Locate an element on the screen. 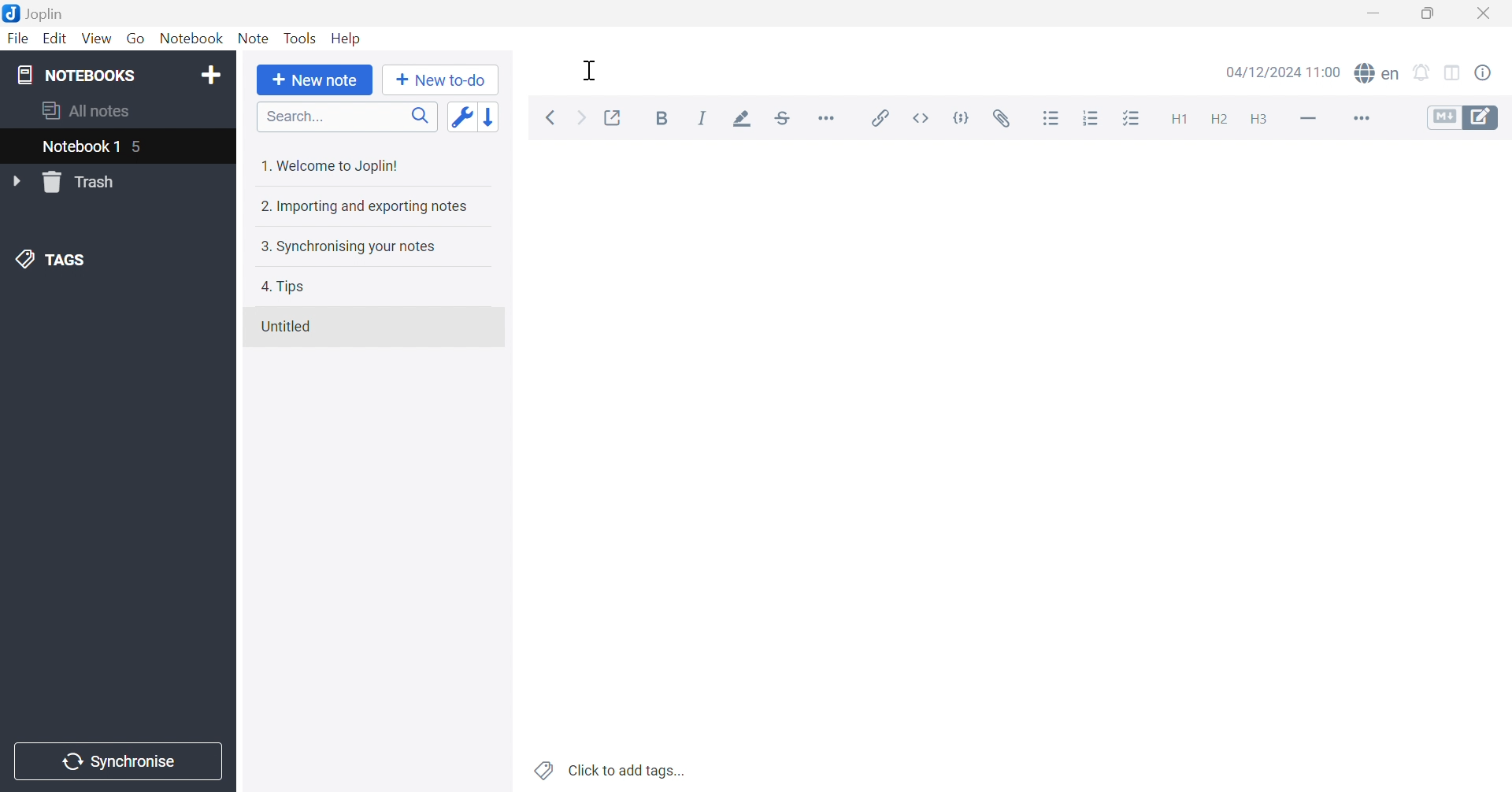 The width and height of the screenshot is (1512, 792). Note properties is located at coordinates (1492, 73).